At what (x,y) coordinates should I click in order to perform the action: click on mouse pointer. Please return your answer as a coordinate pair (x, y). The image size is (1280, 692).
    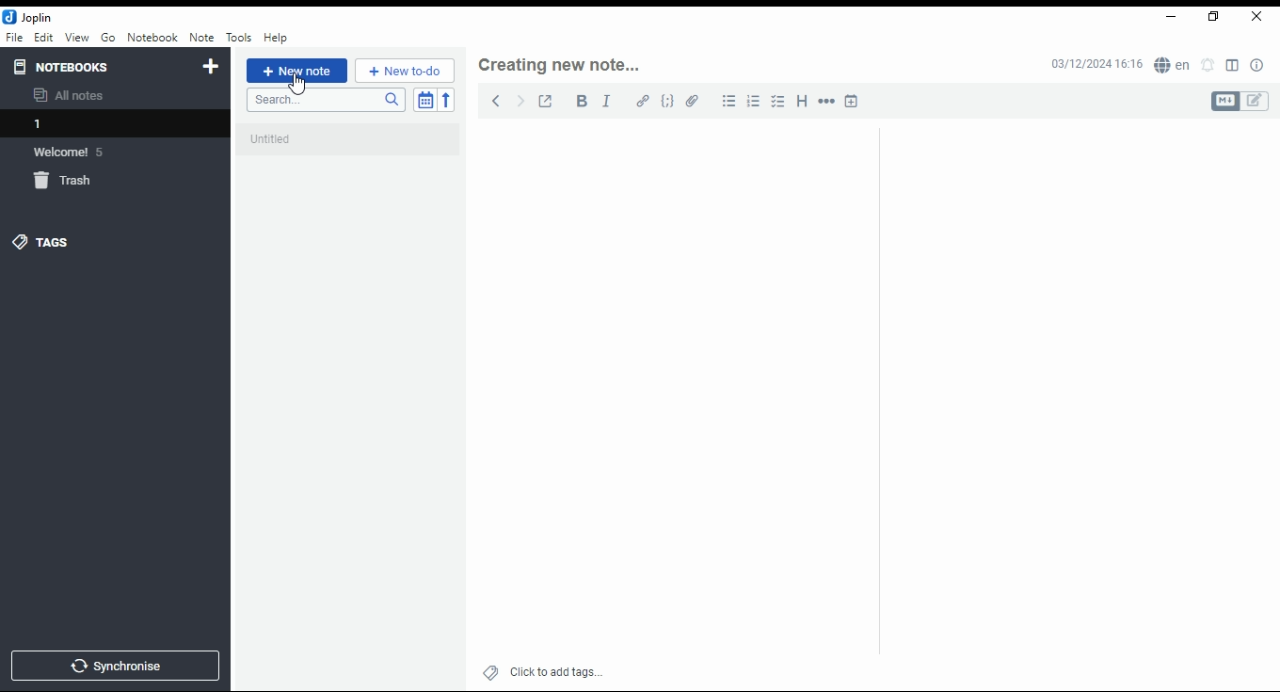
    Looking at the image, I should click on (297, 84).